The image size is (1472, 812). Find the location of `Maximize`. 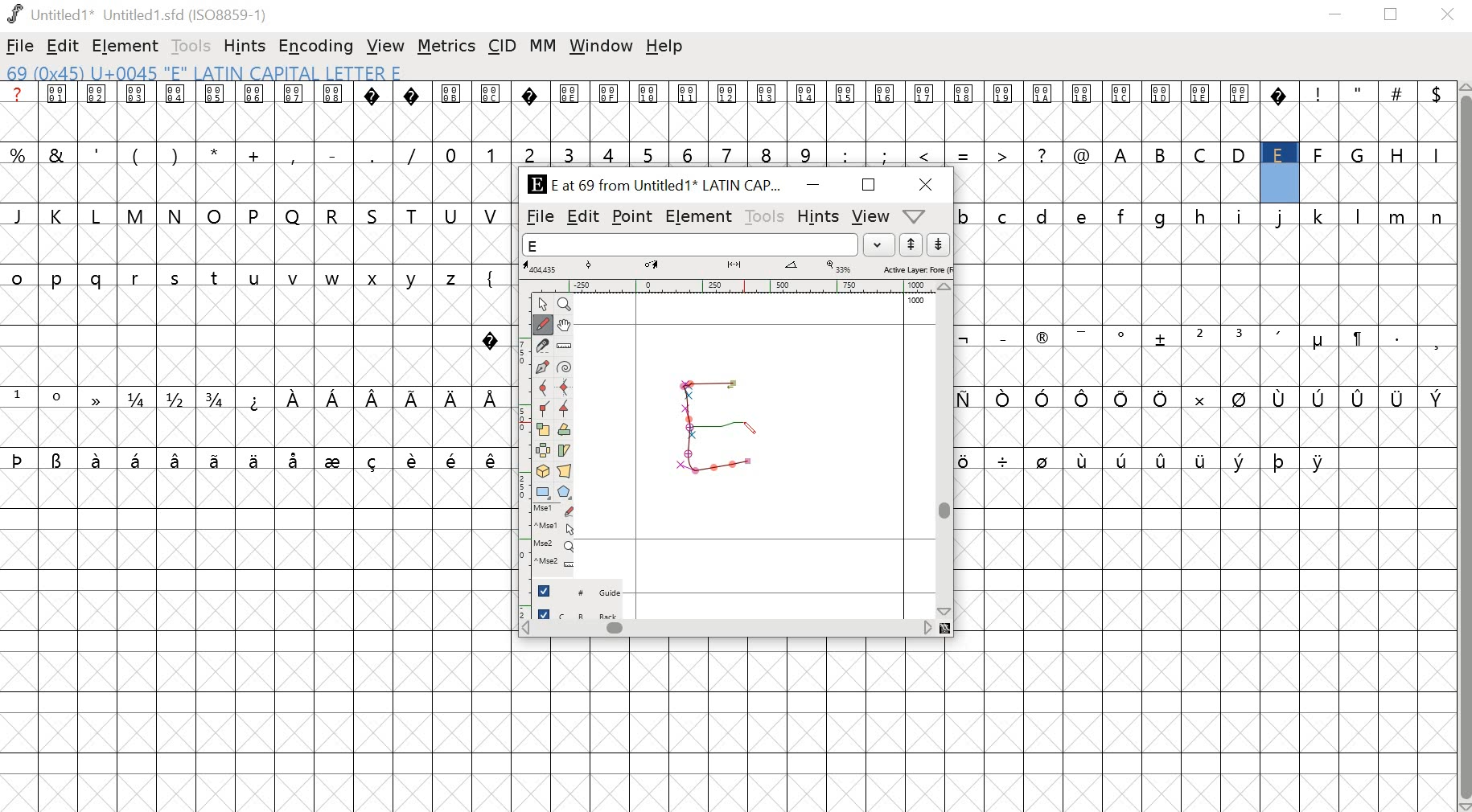

Maximize is located at coordinates (866, 184).